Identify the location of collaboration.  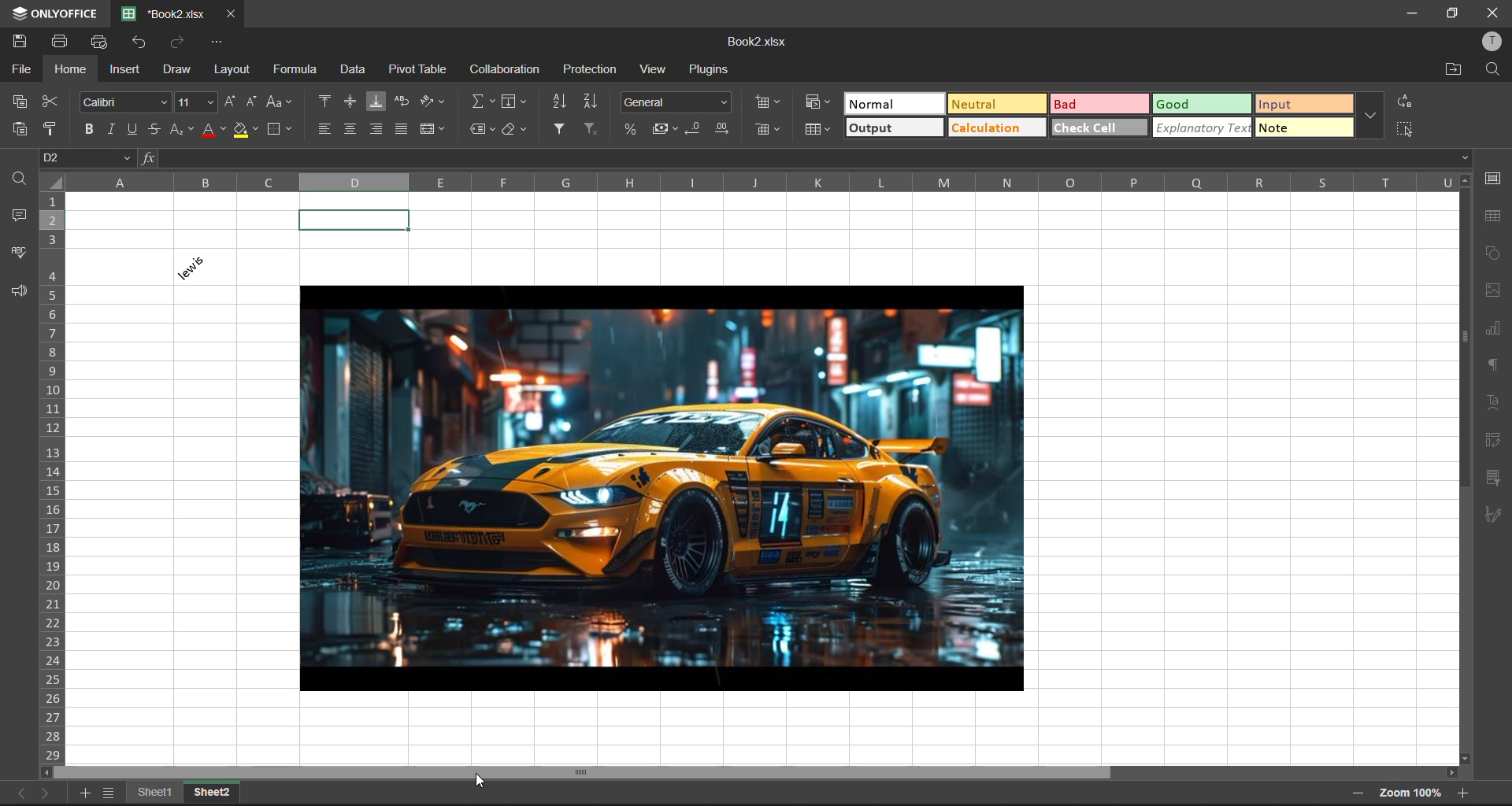
(505, 70).